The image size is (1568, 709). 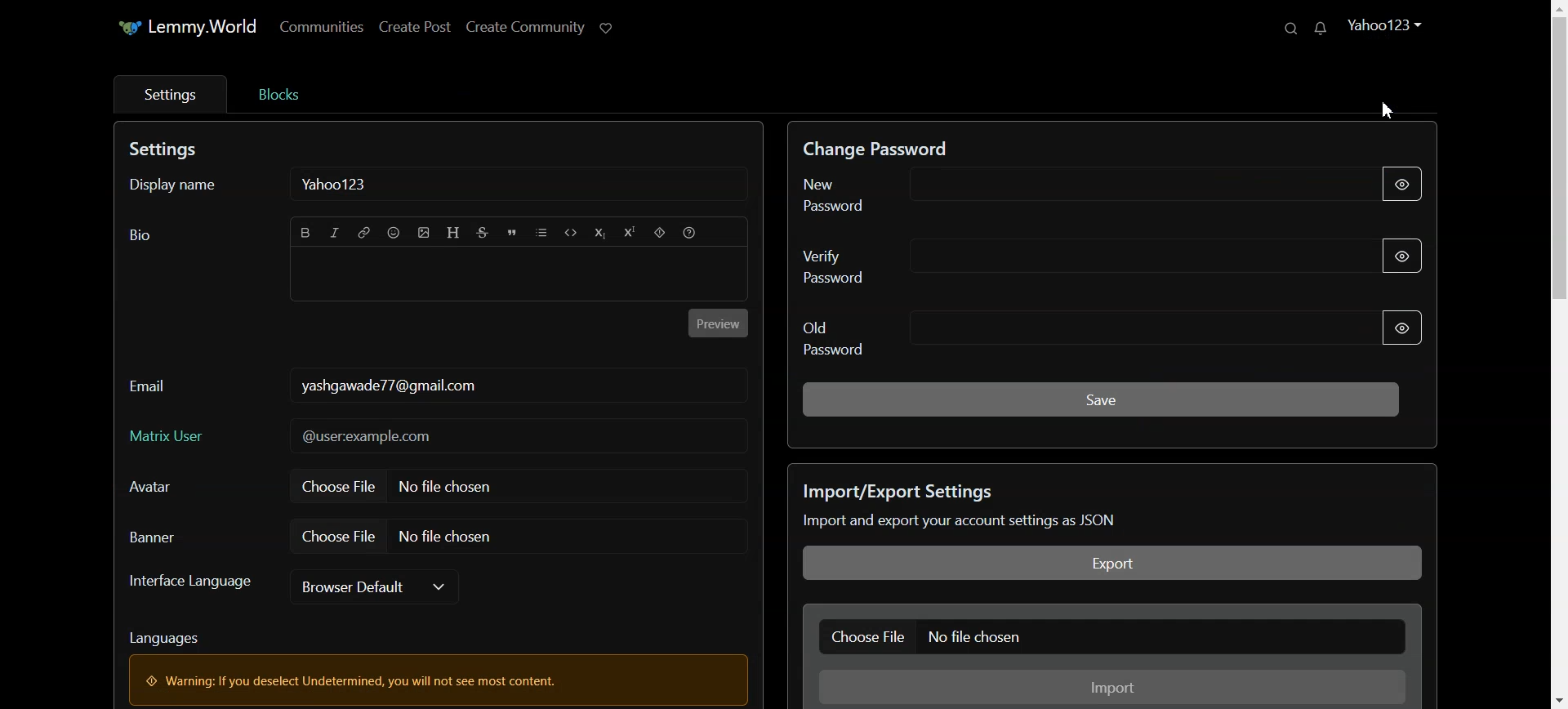 What do you see at coordinates (416, 27) in the screenshot?
I see `Create Post` at bounding box center [416, 27].